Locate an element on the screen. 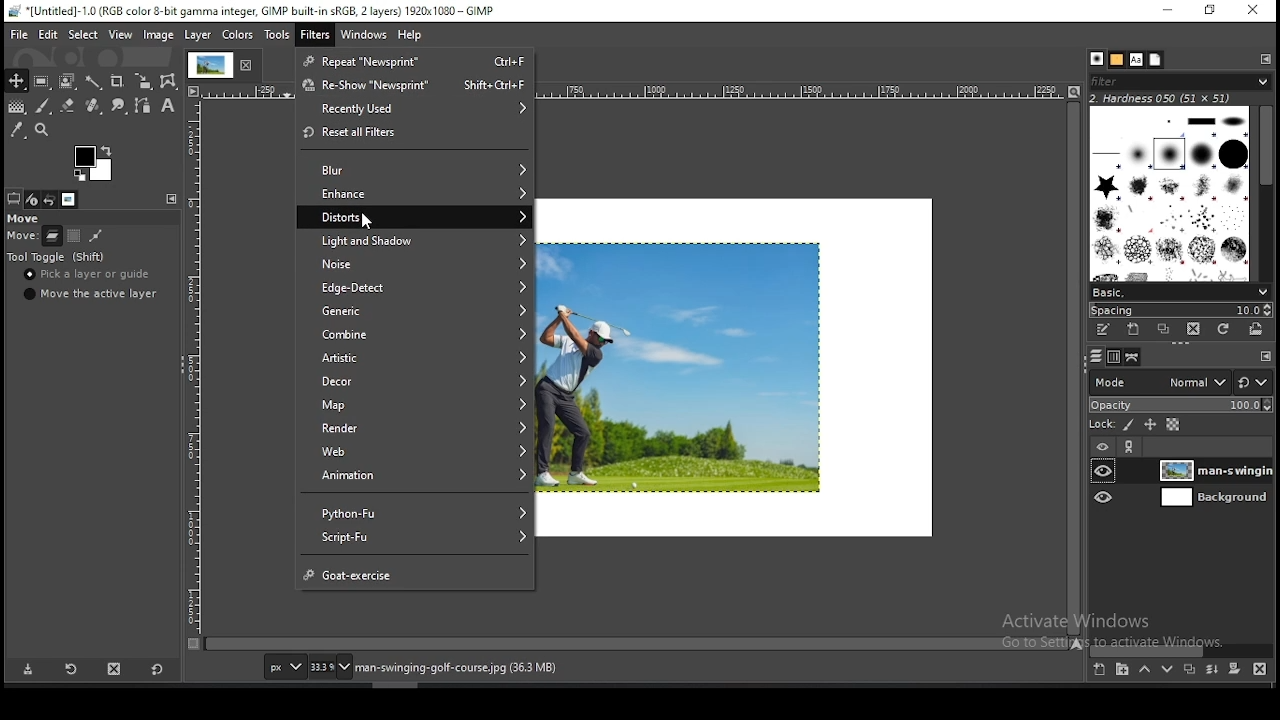  filter is located at coordinates (314, 33).